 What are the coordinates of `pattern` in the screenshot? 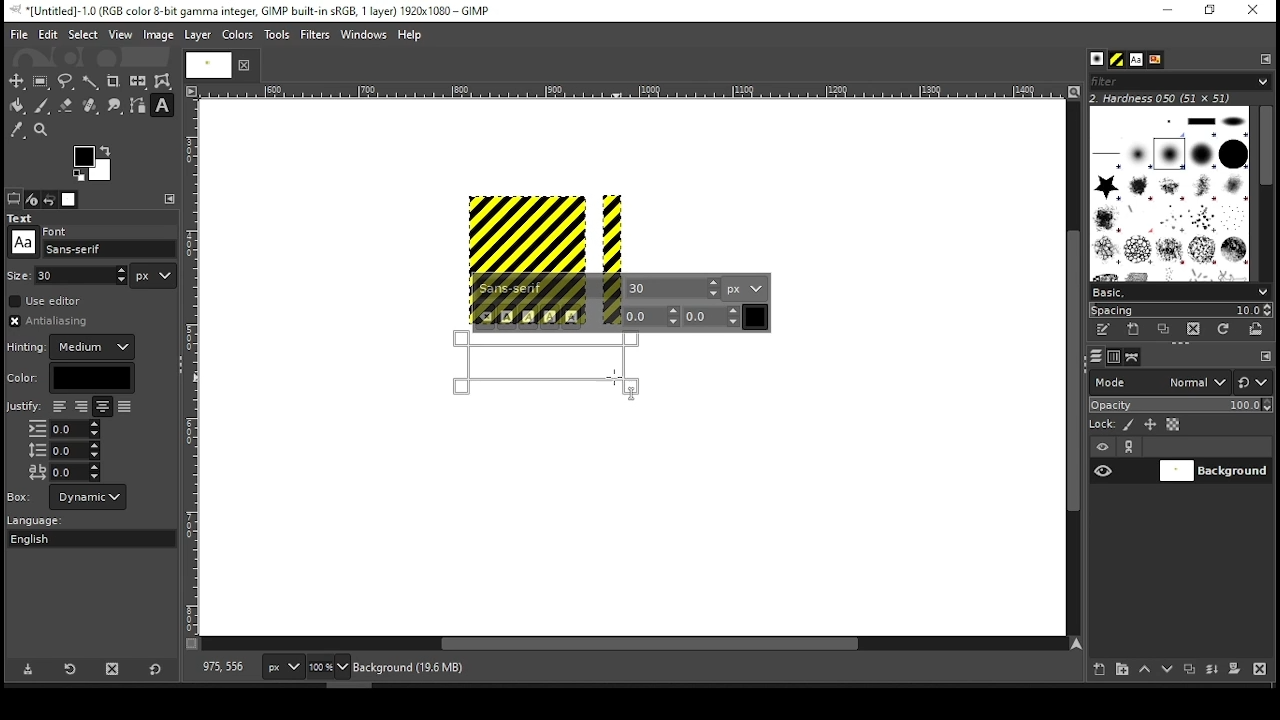 It's located at (1117, 60).